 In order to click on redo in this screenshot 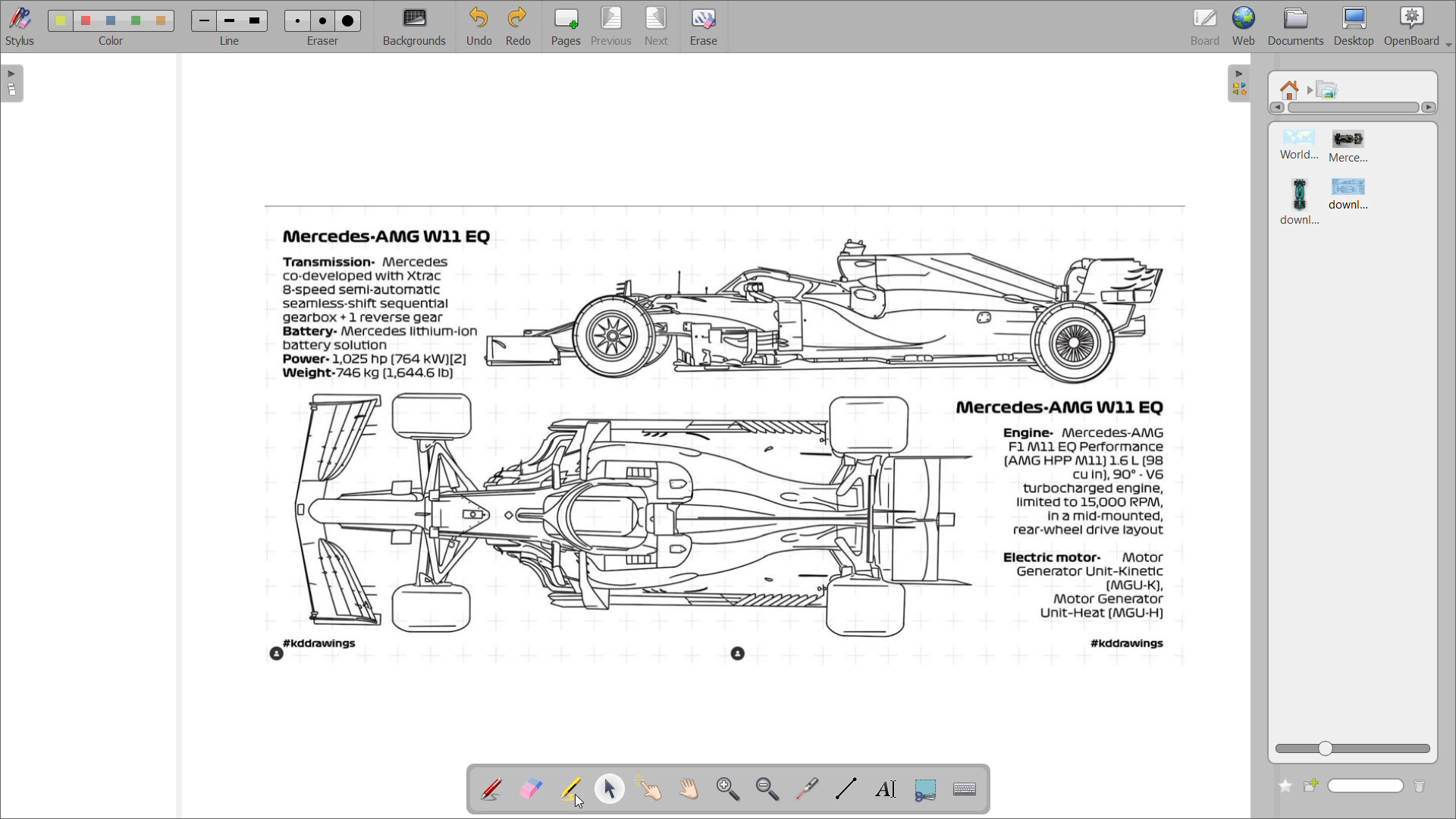, I will do `click(522, 27)`.